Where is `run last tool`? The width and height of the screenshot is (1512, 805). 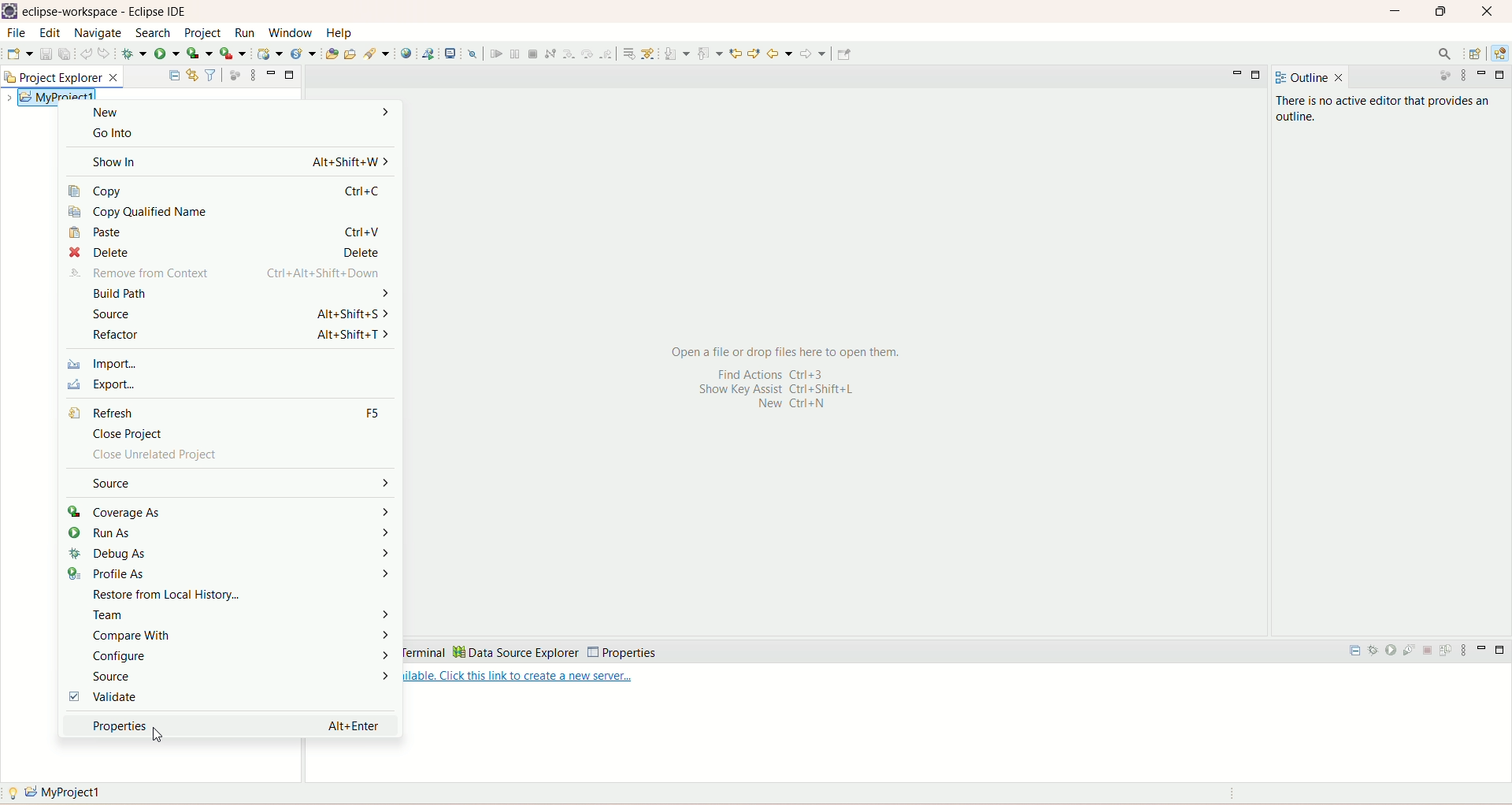 run last tool is located at coordinates (235, 54).